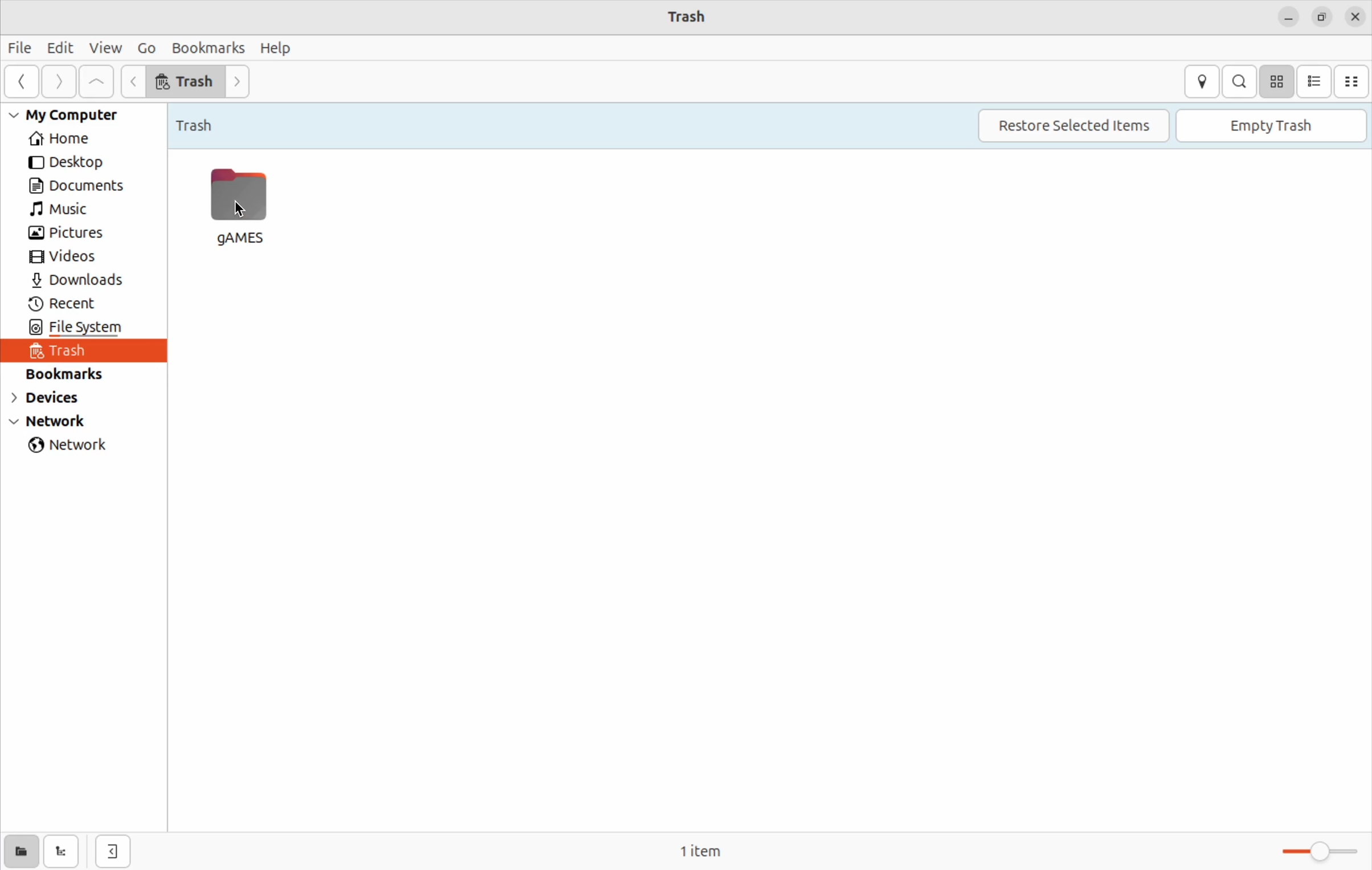  What do you see at coordinates (99, 329) in the screenshot?
I see `file system` at bounding box center [99, 329].